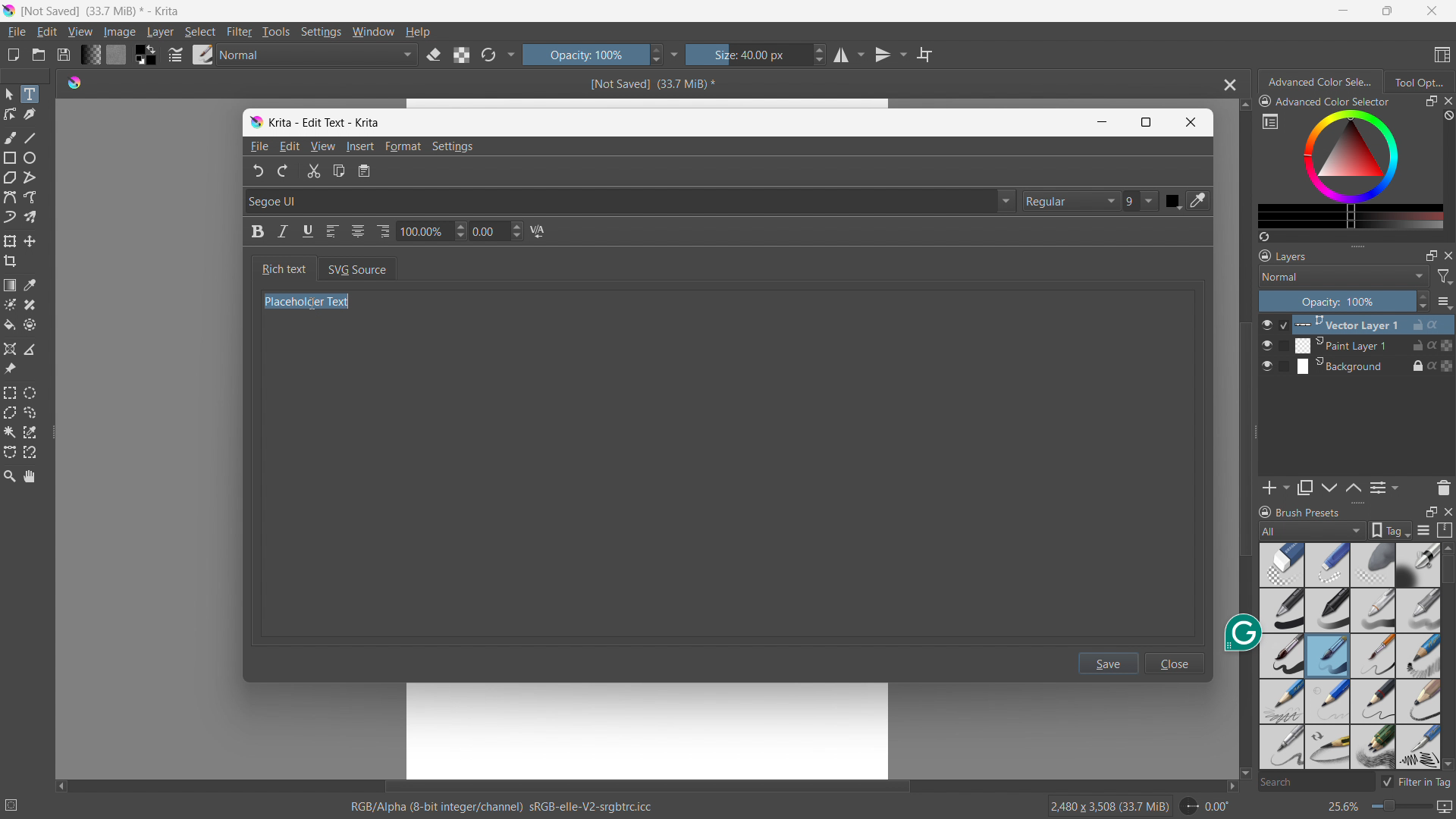 Image resolution: width=1456 pixels, height=819 pixels. What do you see at coordinates (10, 413) in the screenshot?
I see `polygonal selection tool` at bounding box center [10, 413].